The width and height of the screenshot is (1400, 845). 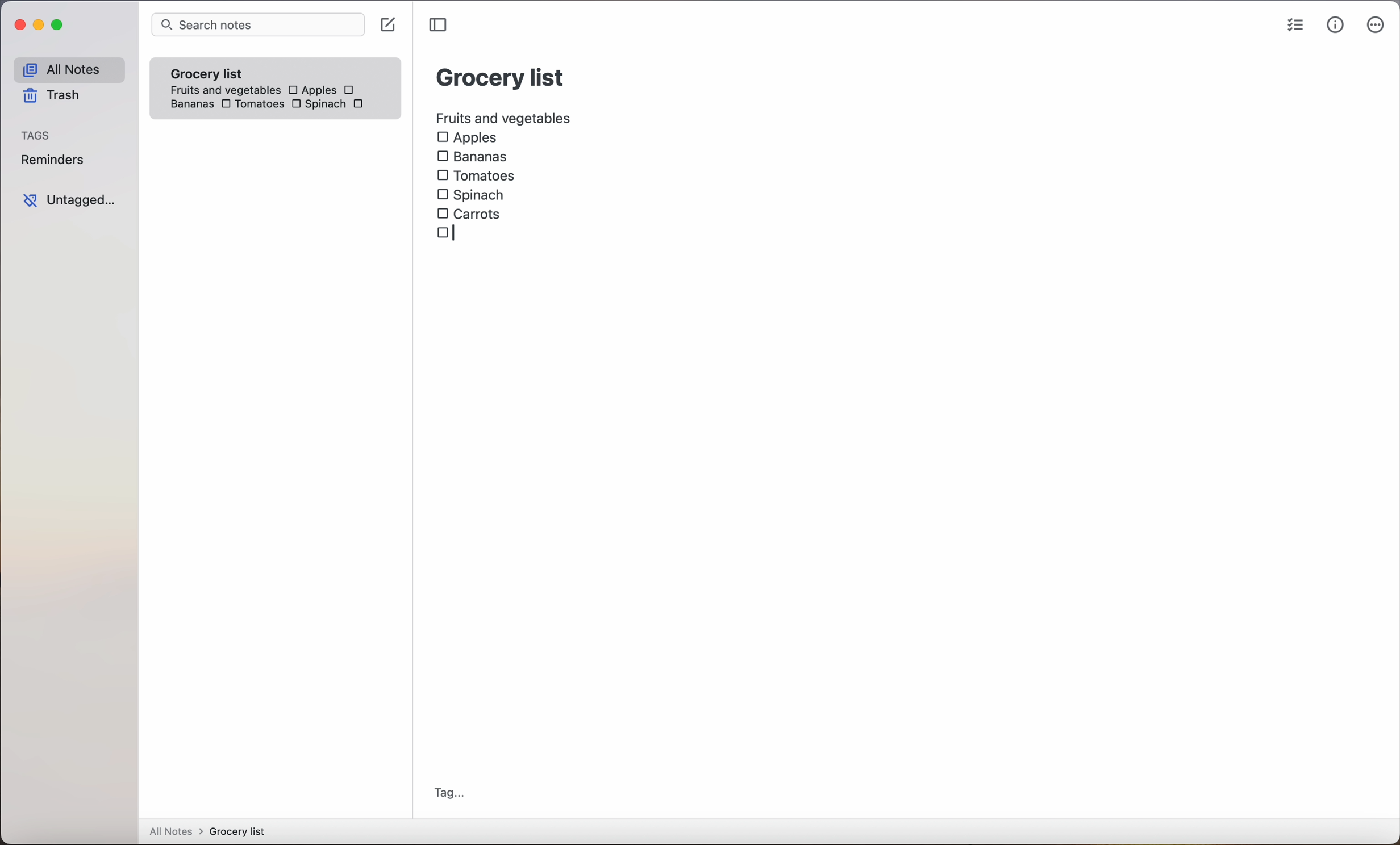 I want to click on bananas, so click(x=190, y=104).